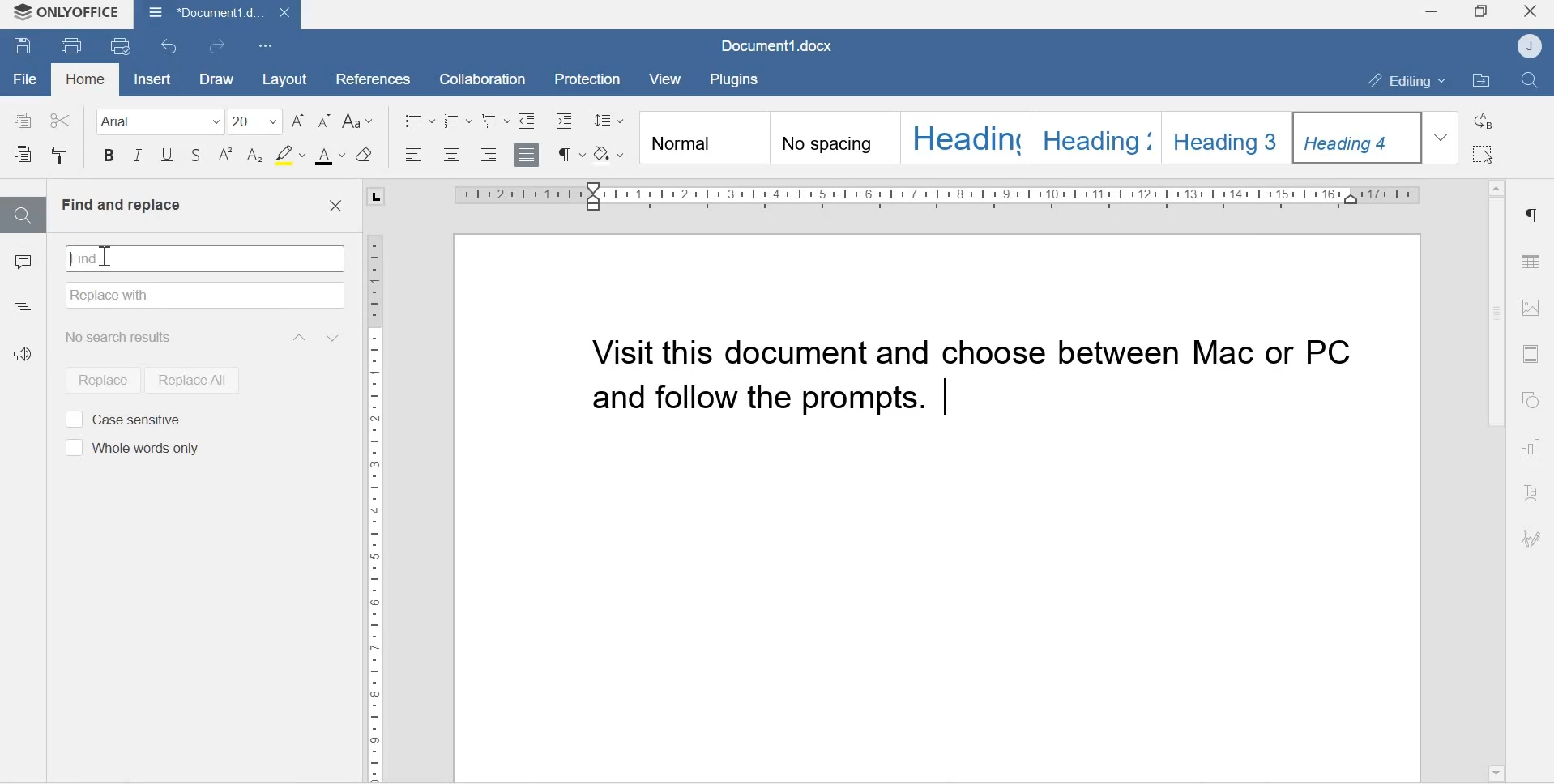  Describe the element at coordinates (60, 117) in the screenshot. I see `Cut` at that location.